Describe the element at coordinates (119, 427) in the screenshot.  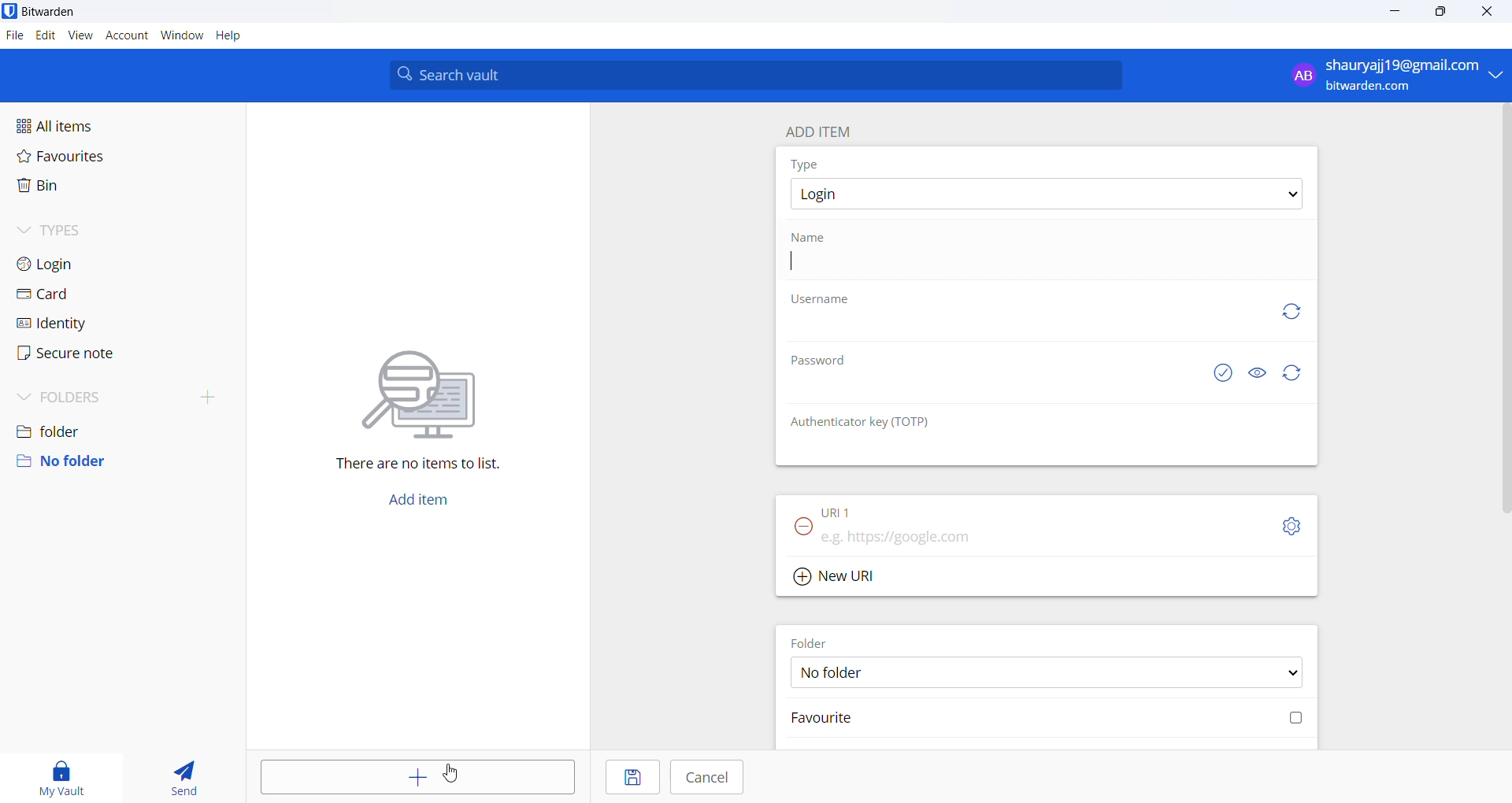
I see `folder` at that location.